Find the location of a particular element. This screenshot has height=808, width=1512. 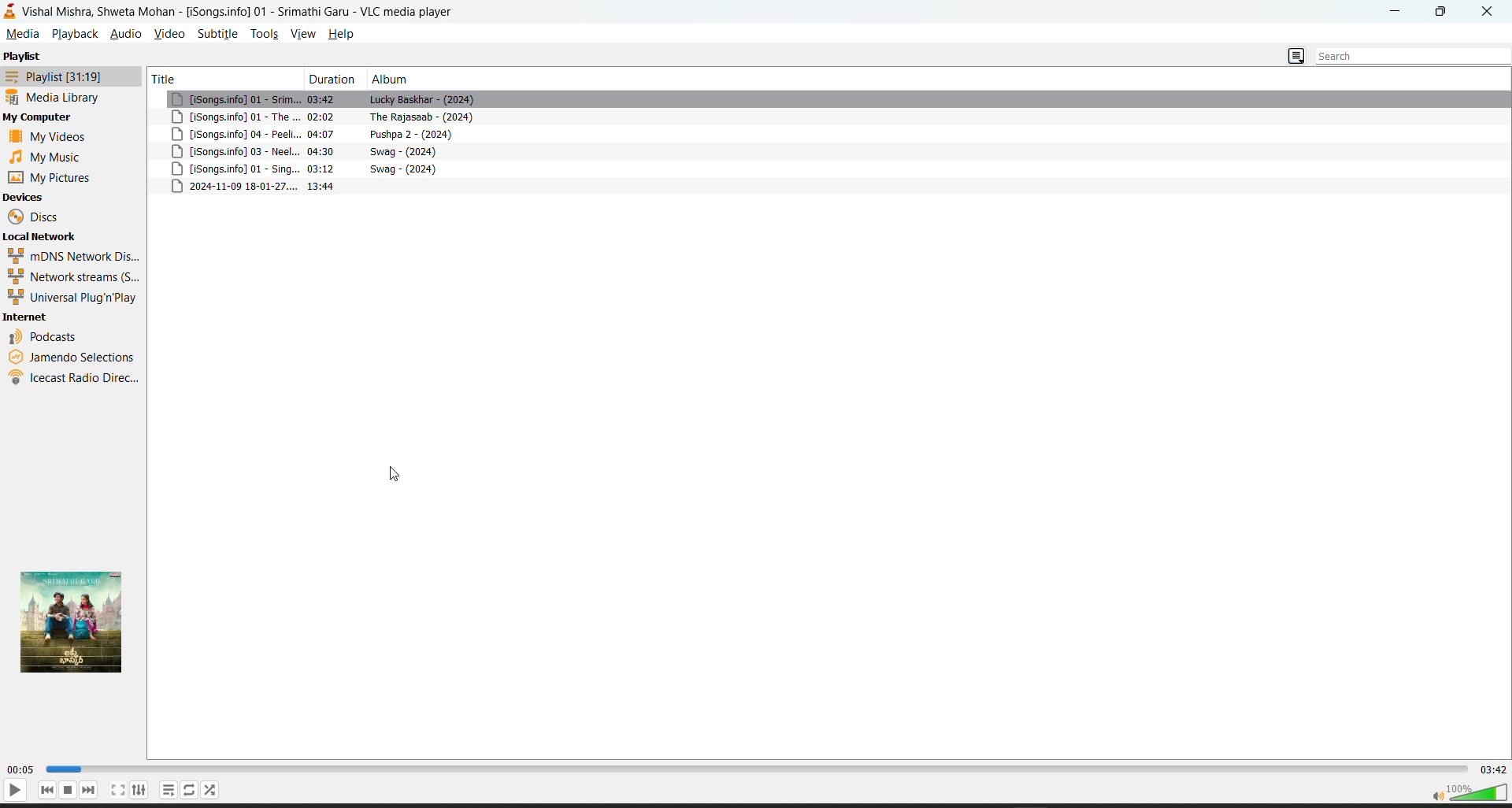

album is located at coordinates (391, 79).